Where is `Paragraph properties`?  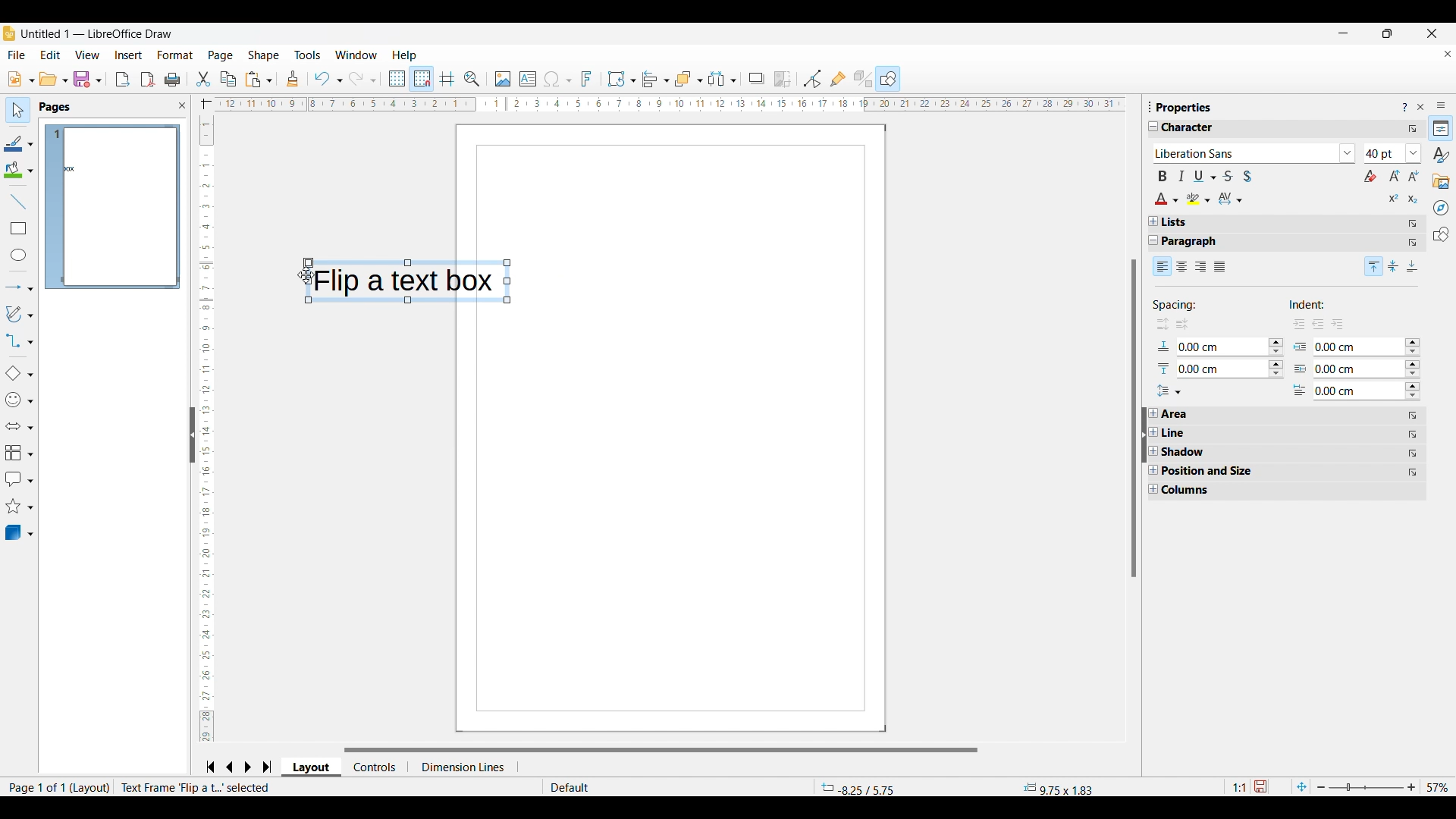
Paragraph properties is located at coordinates (1197, 242).